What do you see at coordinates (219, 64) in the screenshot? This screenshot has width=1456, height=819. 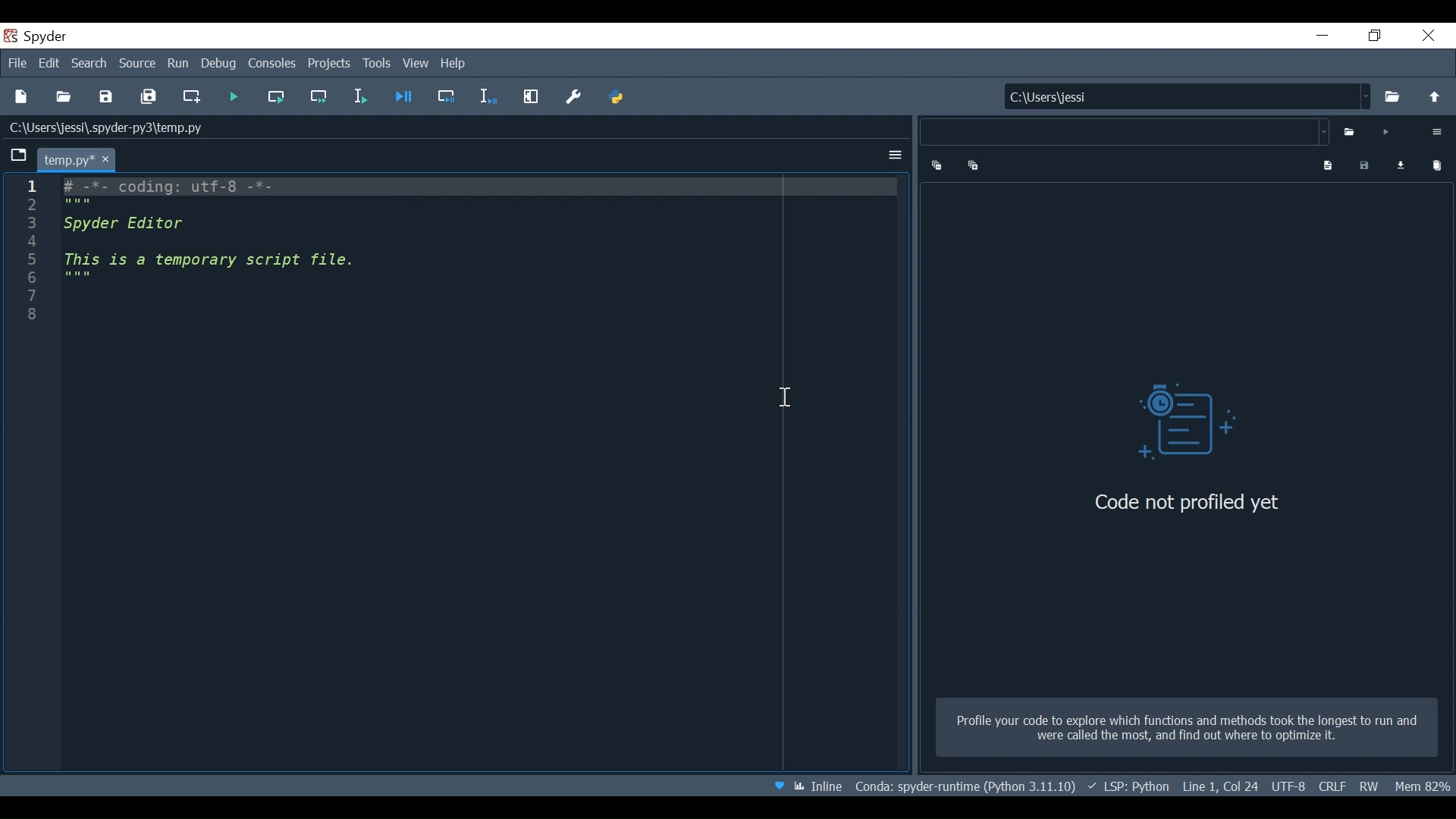 I see `Debug` at bounding box center [219, 64].